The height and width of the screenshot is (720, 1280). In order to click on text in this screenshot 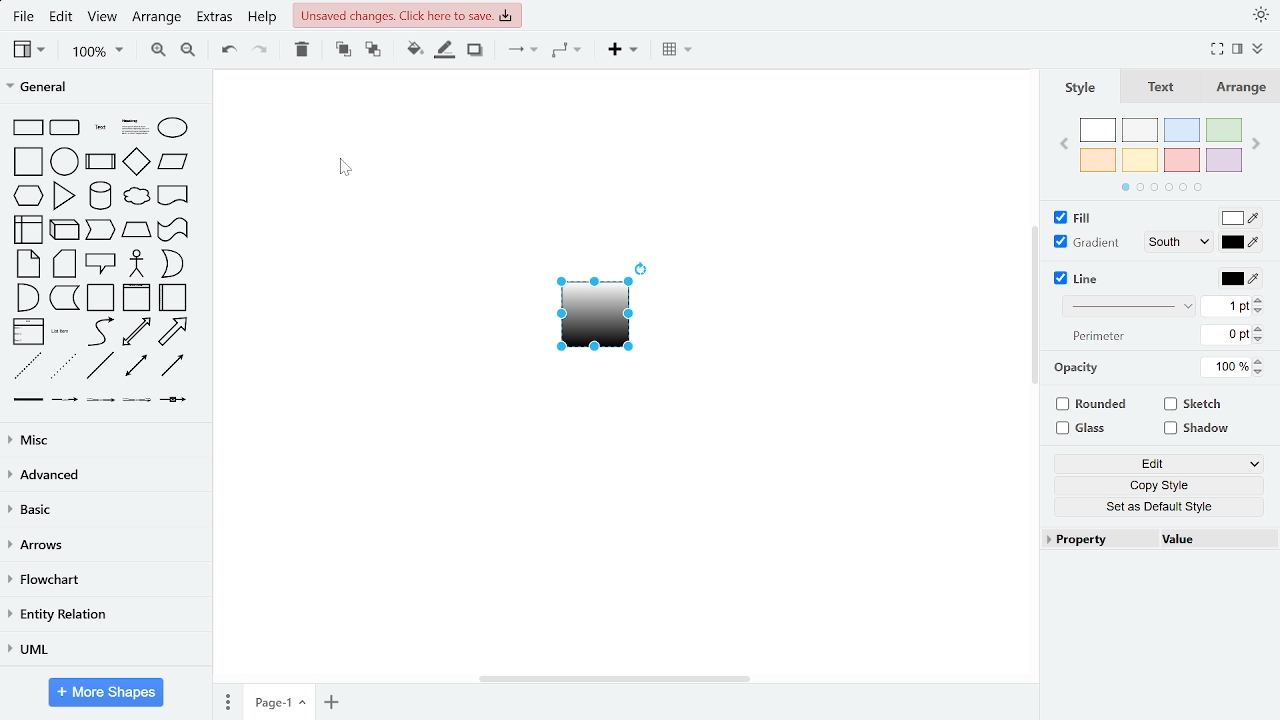, I will do `click(1099, 337)`.